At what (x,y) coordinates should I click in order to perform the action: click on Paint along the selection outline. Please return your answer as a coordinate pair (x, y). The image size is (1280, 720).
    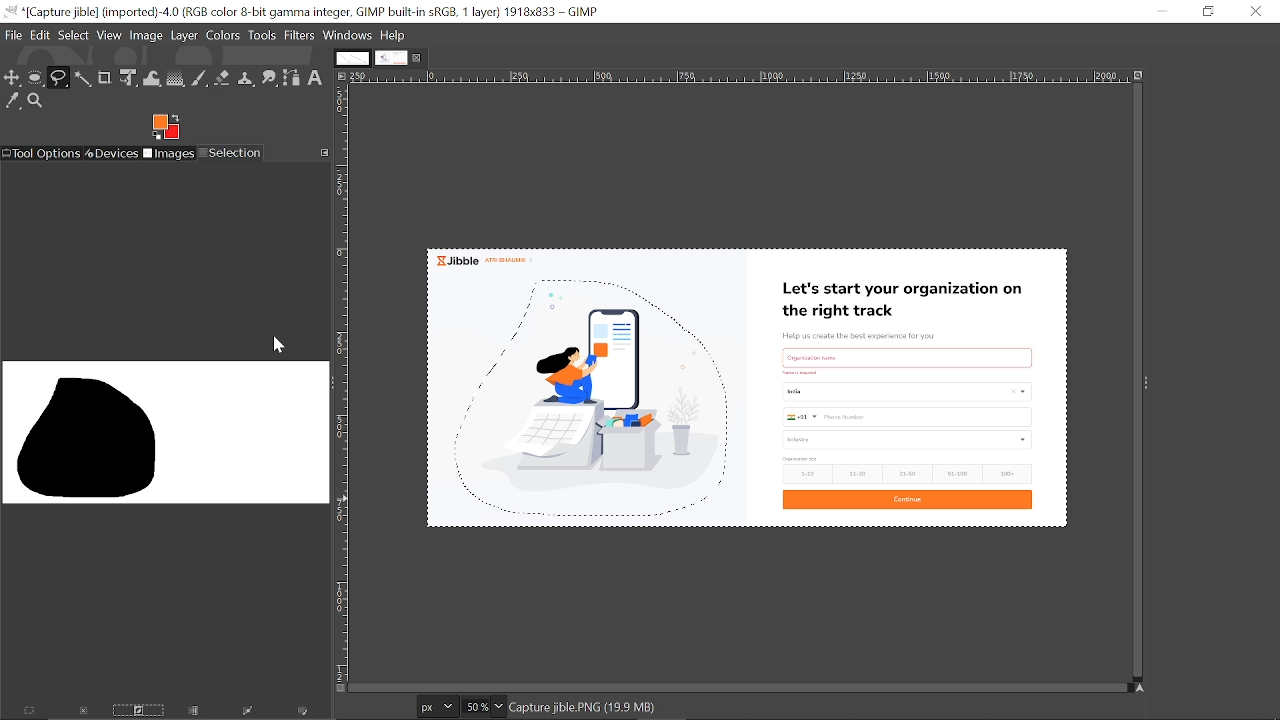
    Looking at the image, I should click on (304, 713).